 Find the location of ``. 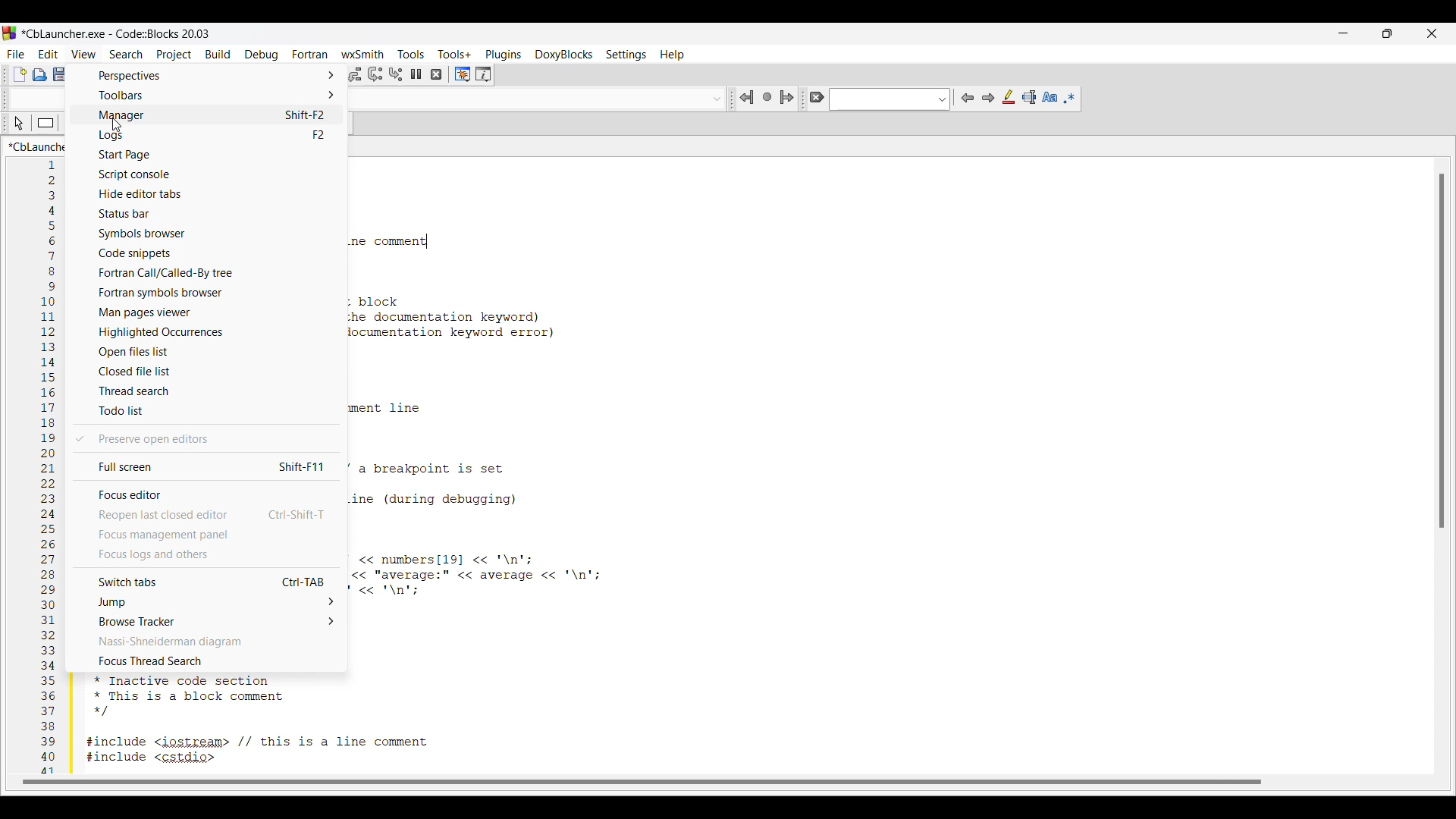

 is located at coordinates (397, 75).